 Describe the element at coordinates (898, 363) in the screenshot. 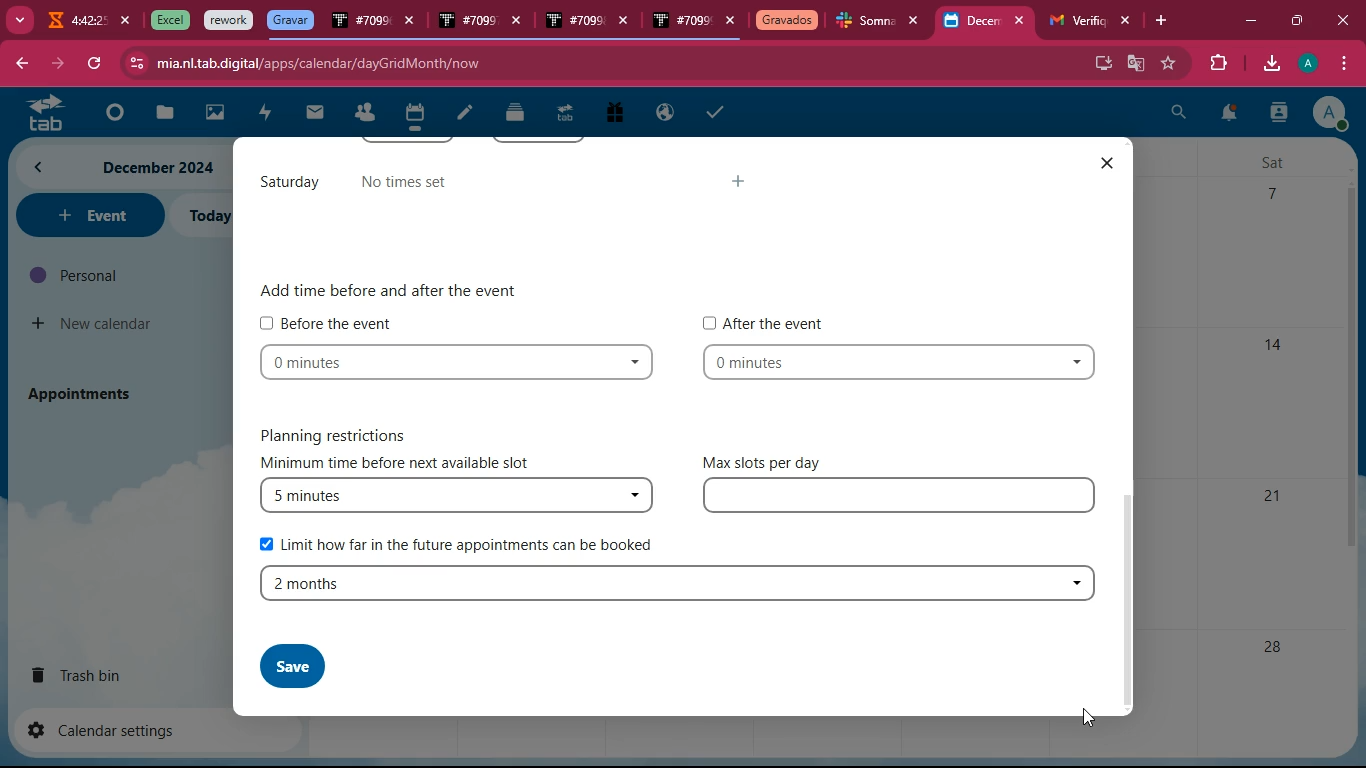

I see `0 minutes` at that location.